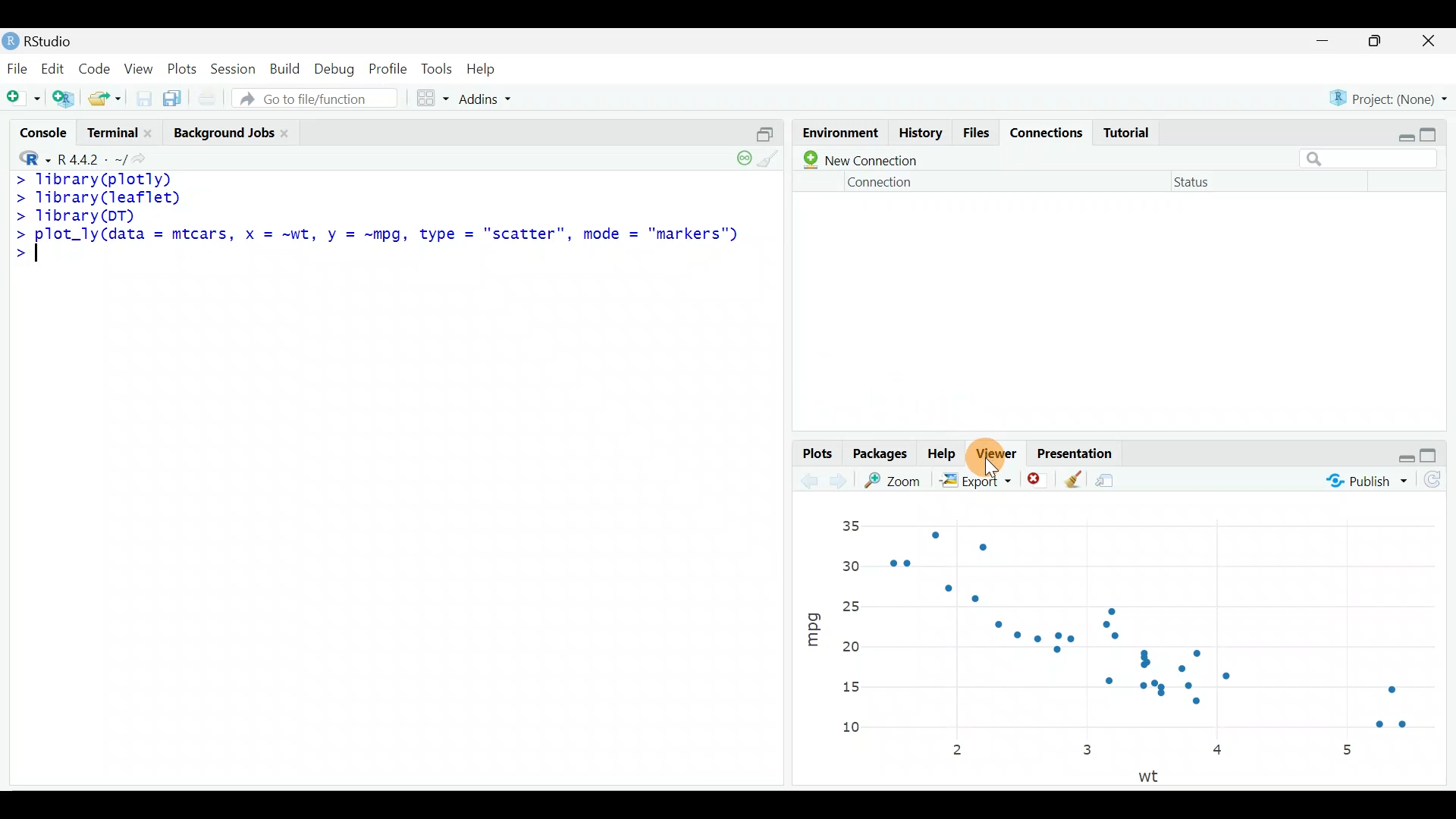  I want to click on Background jobs, so click(222, 130).